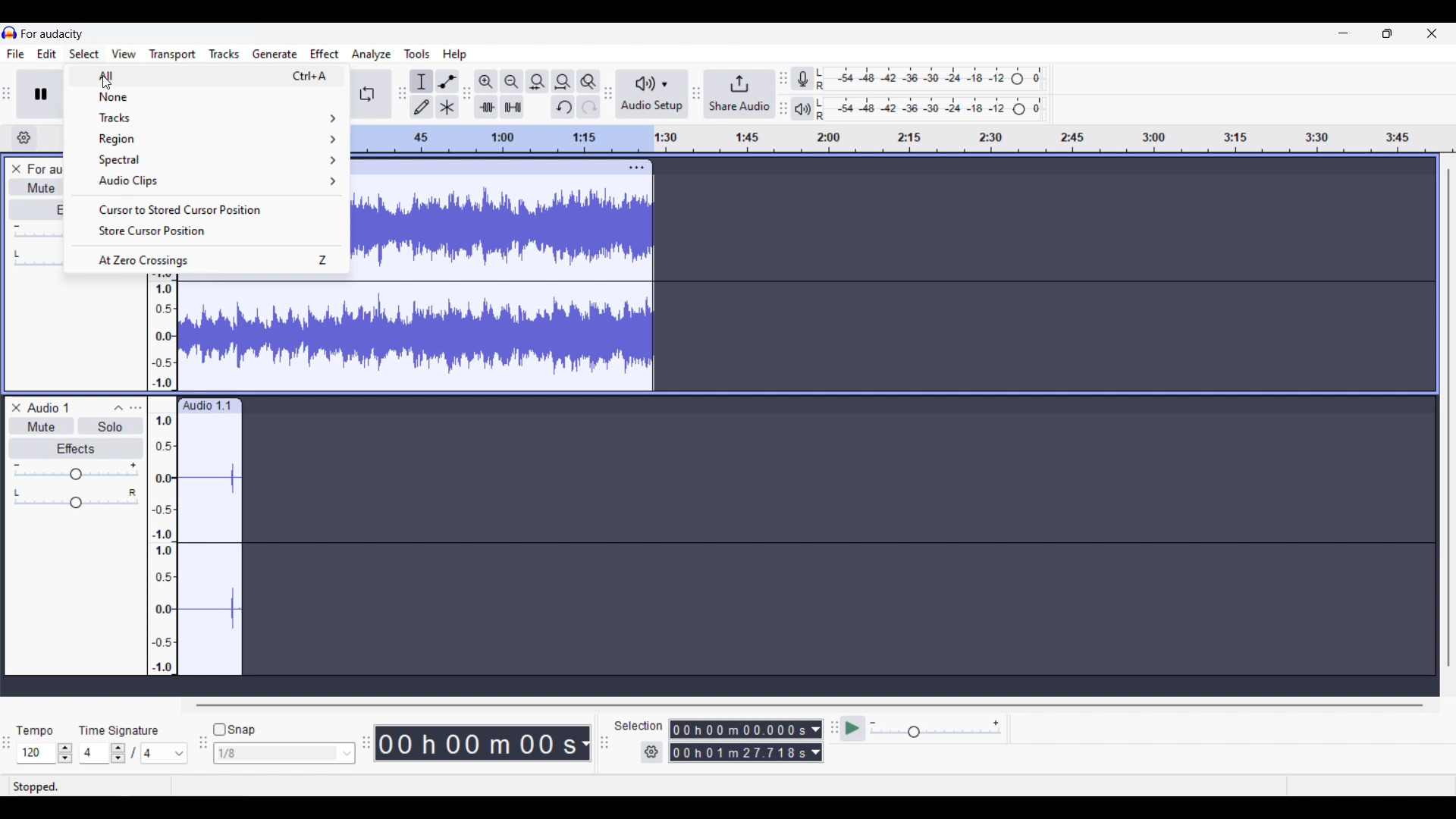 This screenshot has height=819, width=1456. Describe the element at coordinates (111, 425) in the screenshot. I see `solo` at that location.